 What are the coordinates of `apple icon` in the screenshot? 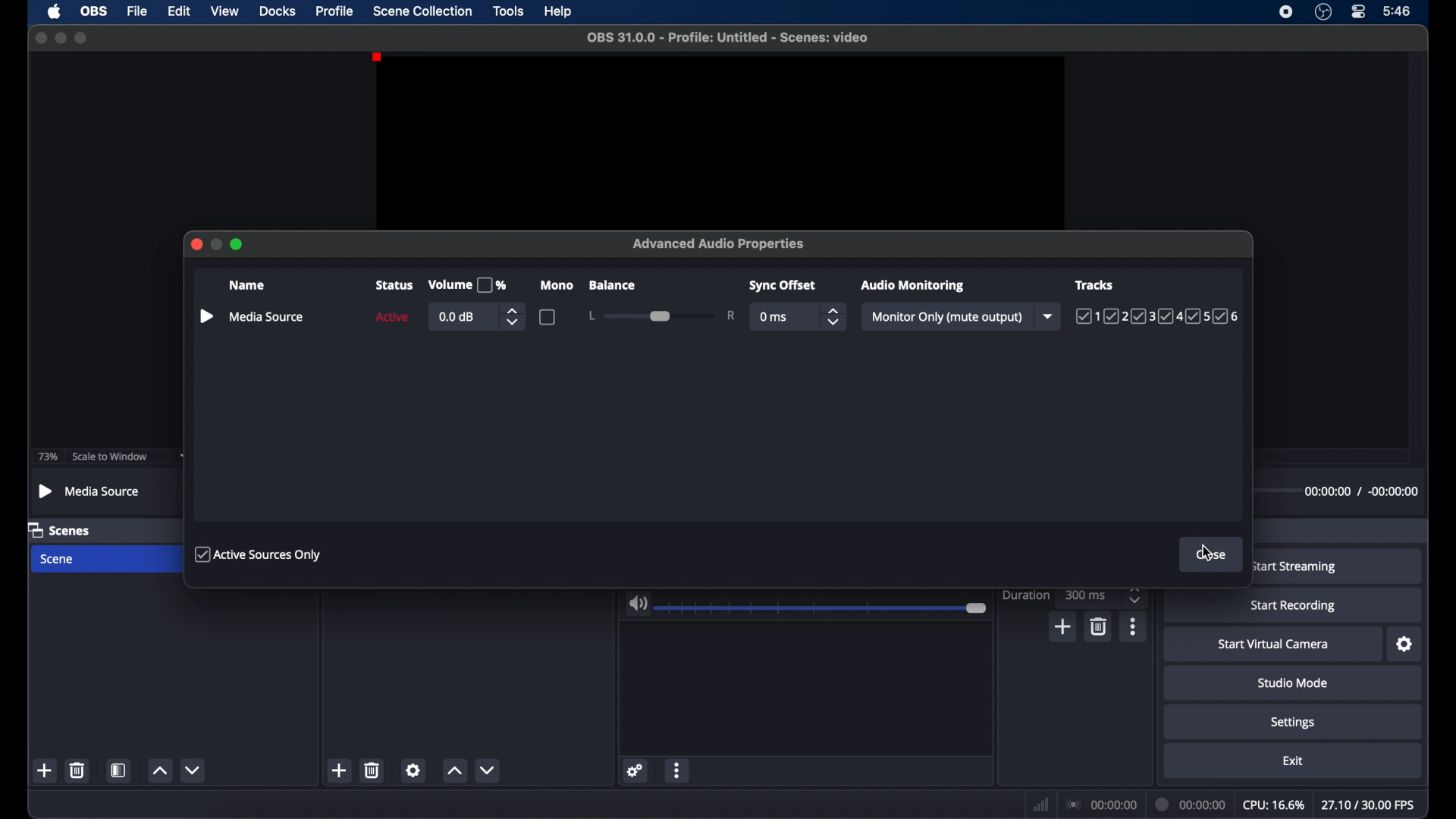 It's located at (54, 11).